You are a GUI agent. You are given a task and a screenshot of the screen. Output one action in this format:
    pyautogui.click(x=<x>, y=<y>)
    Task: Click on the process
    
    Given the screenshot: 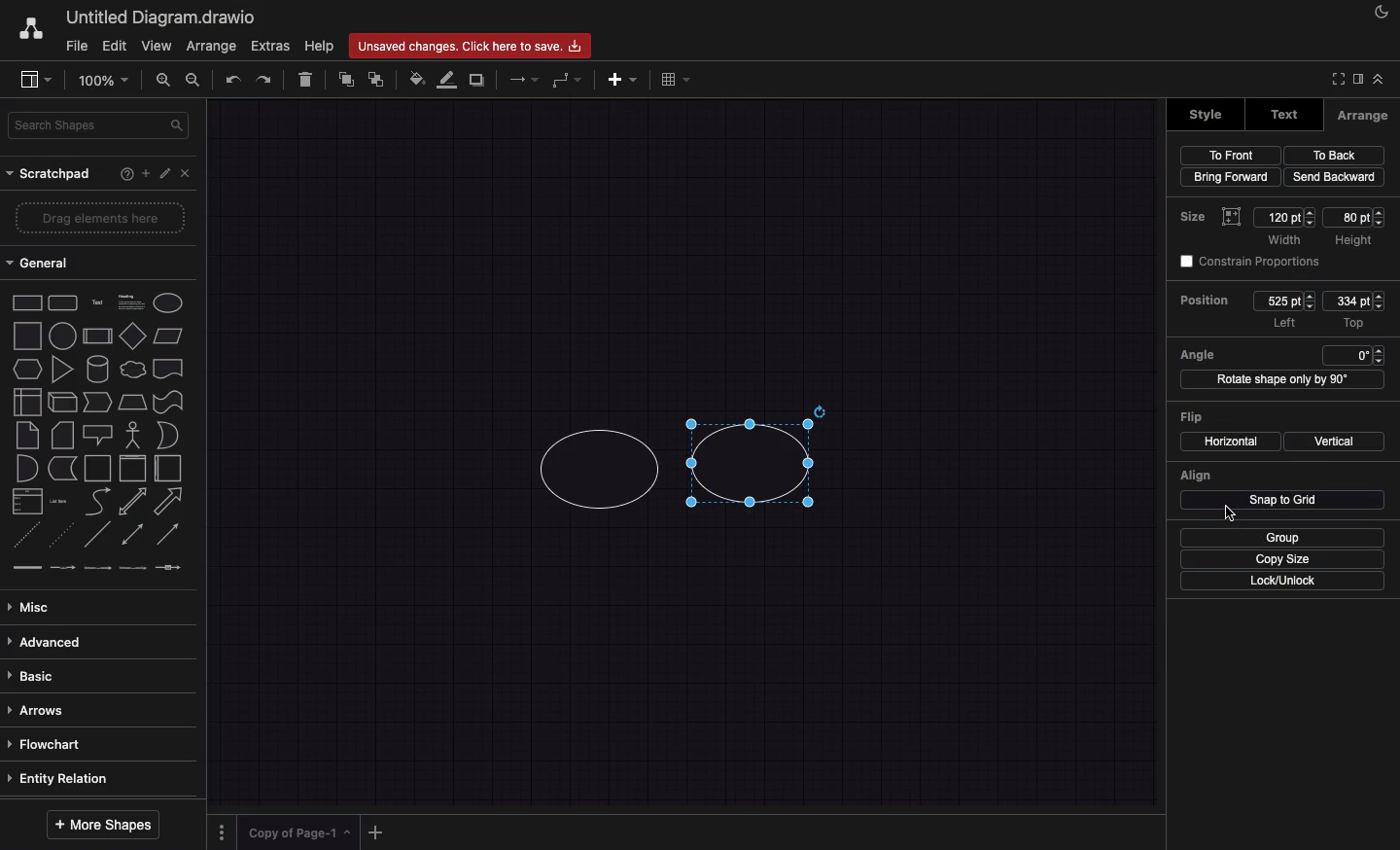 What is the action you would take?
    pyautogui.click(x=96, y=336)
    